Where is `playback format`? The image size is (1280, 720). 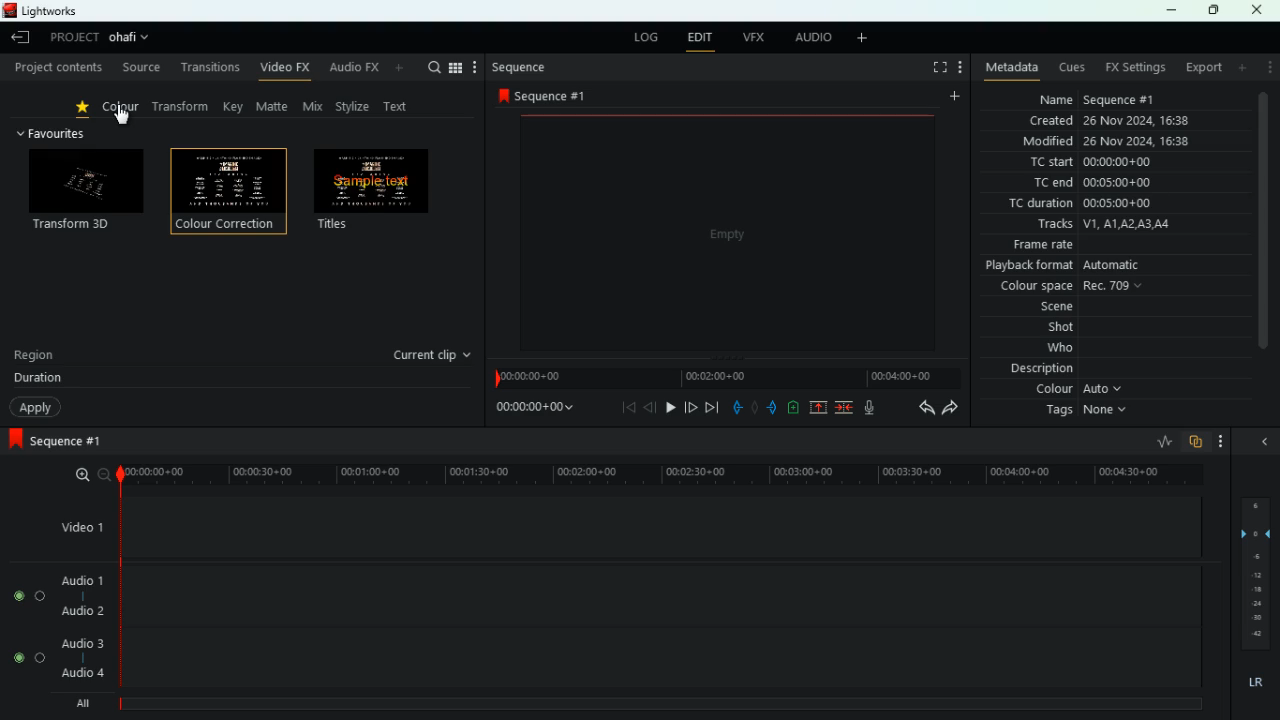 playback format is located at coordinates (1089, 266).